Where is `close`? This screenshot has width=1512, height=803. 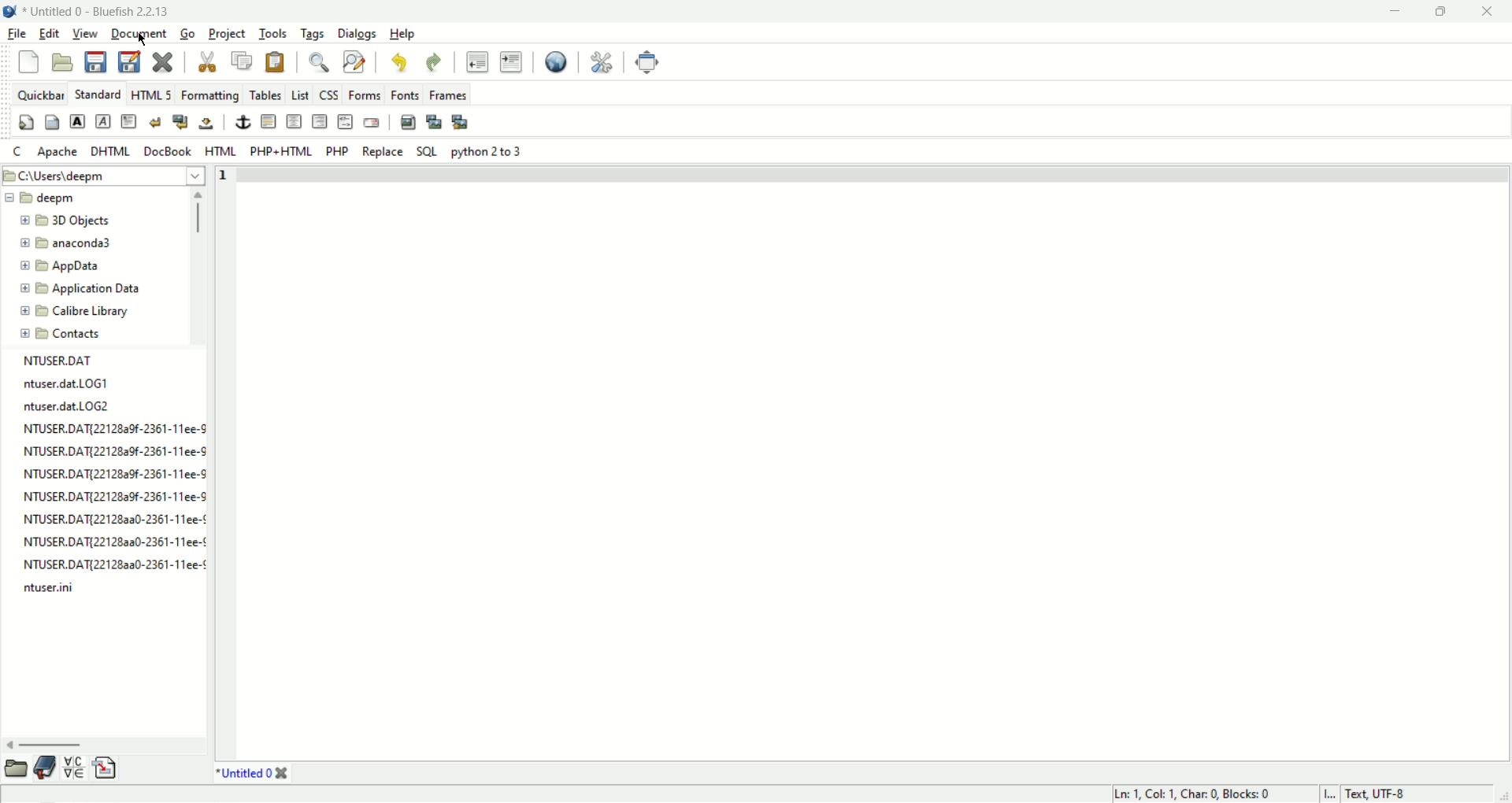 close is located at coordinates (1492, 11).